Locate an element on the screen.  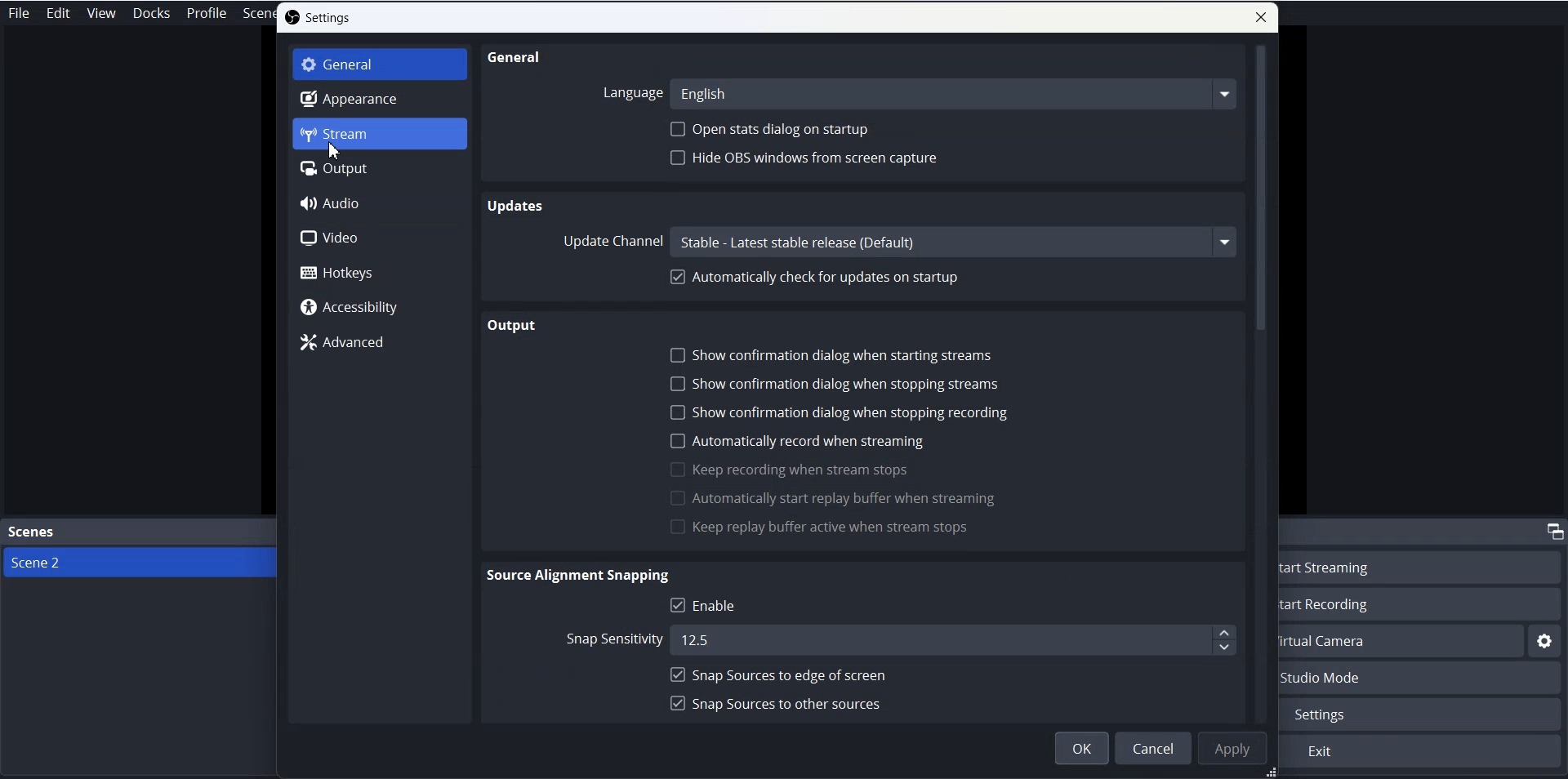
Accessibility is located at coordinates (380, 306).